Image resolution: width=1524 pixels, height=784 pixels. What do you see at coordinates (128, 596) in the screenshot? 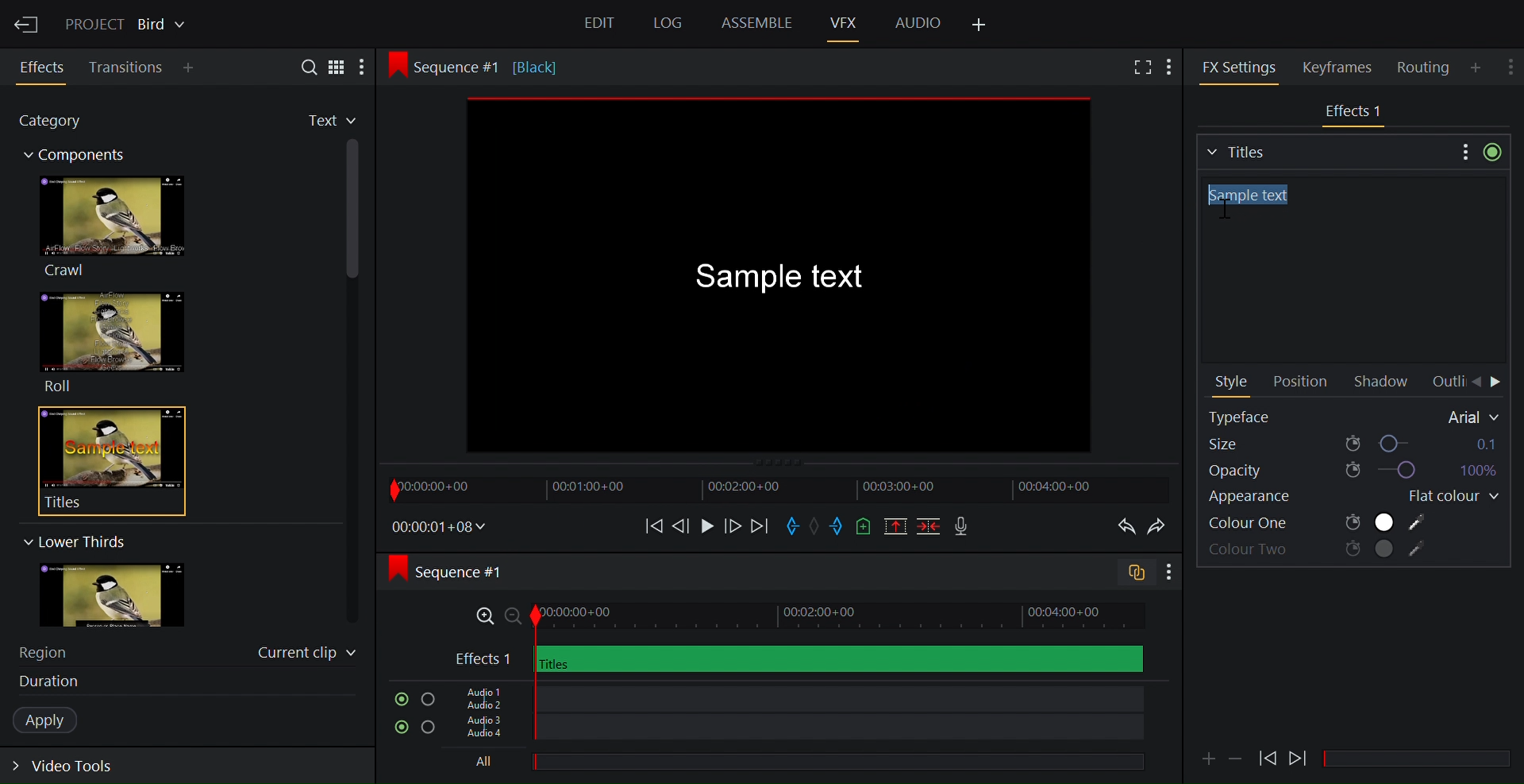
I see `image` at bounding box center [128, 596].